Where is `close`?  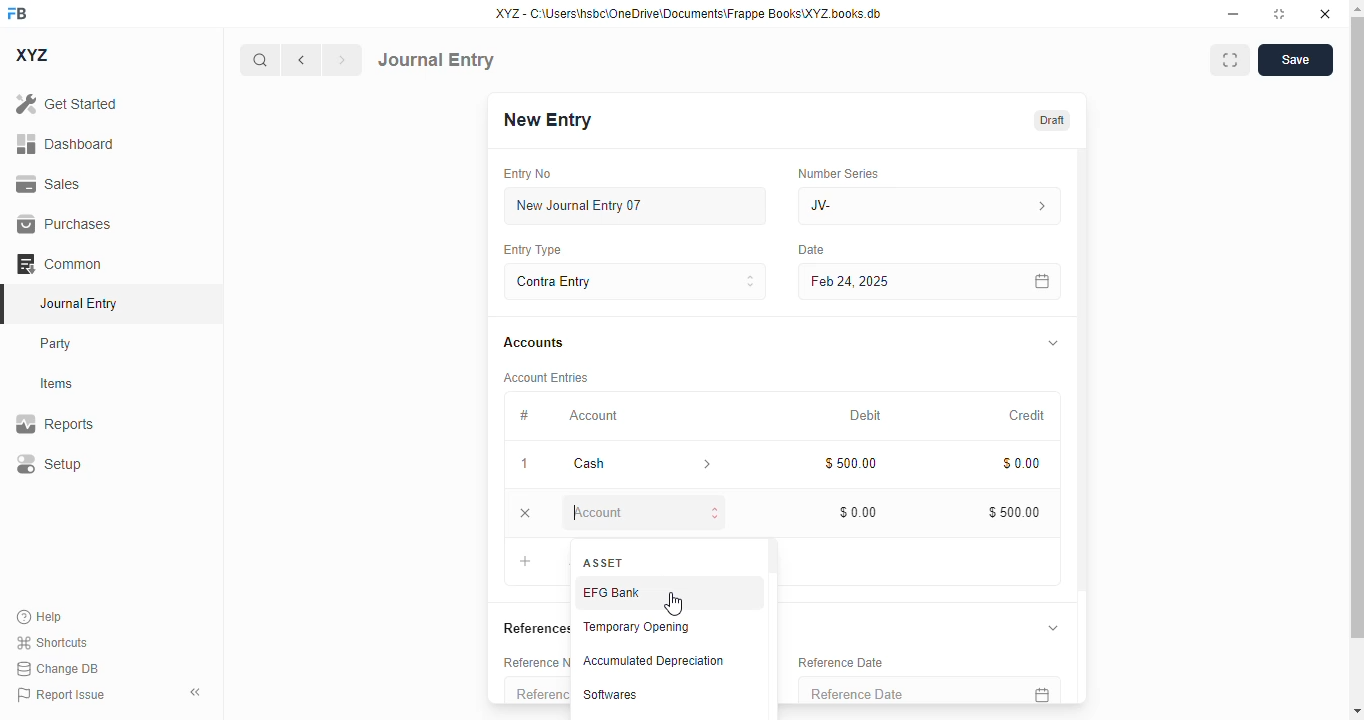
close is located at coordinates (1323, 14).